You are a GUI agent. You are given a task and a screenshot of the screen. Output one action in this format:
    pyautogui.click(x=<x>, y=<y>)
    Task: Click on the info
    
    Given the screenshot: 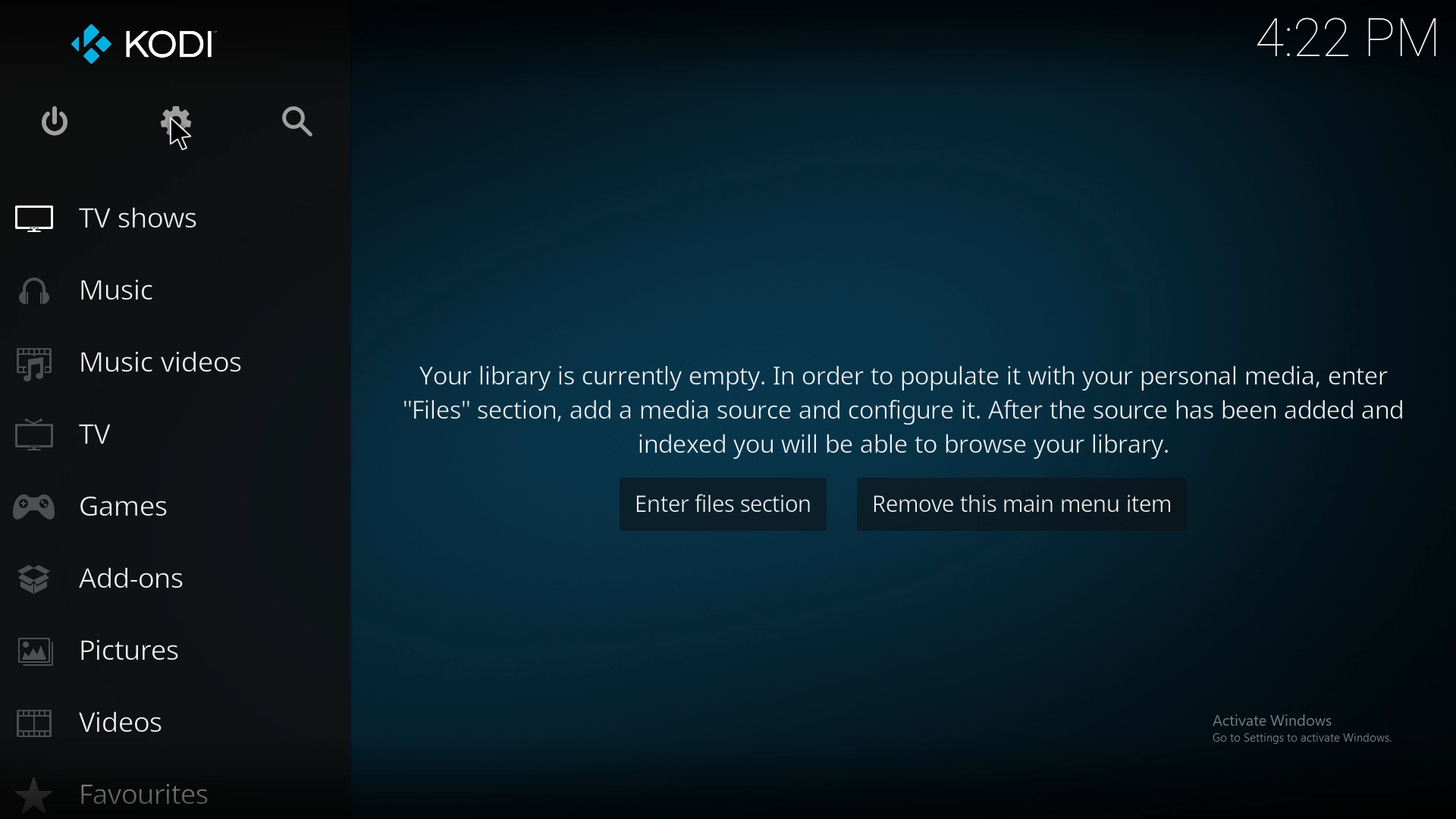 What is the action you would take?
    pyautogui.click(x=910, y=401)
    